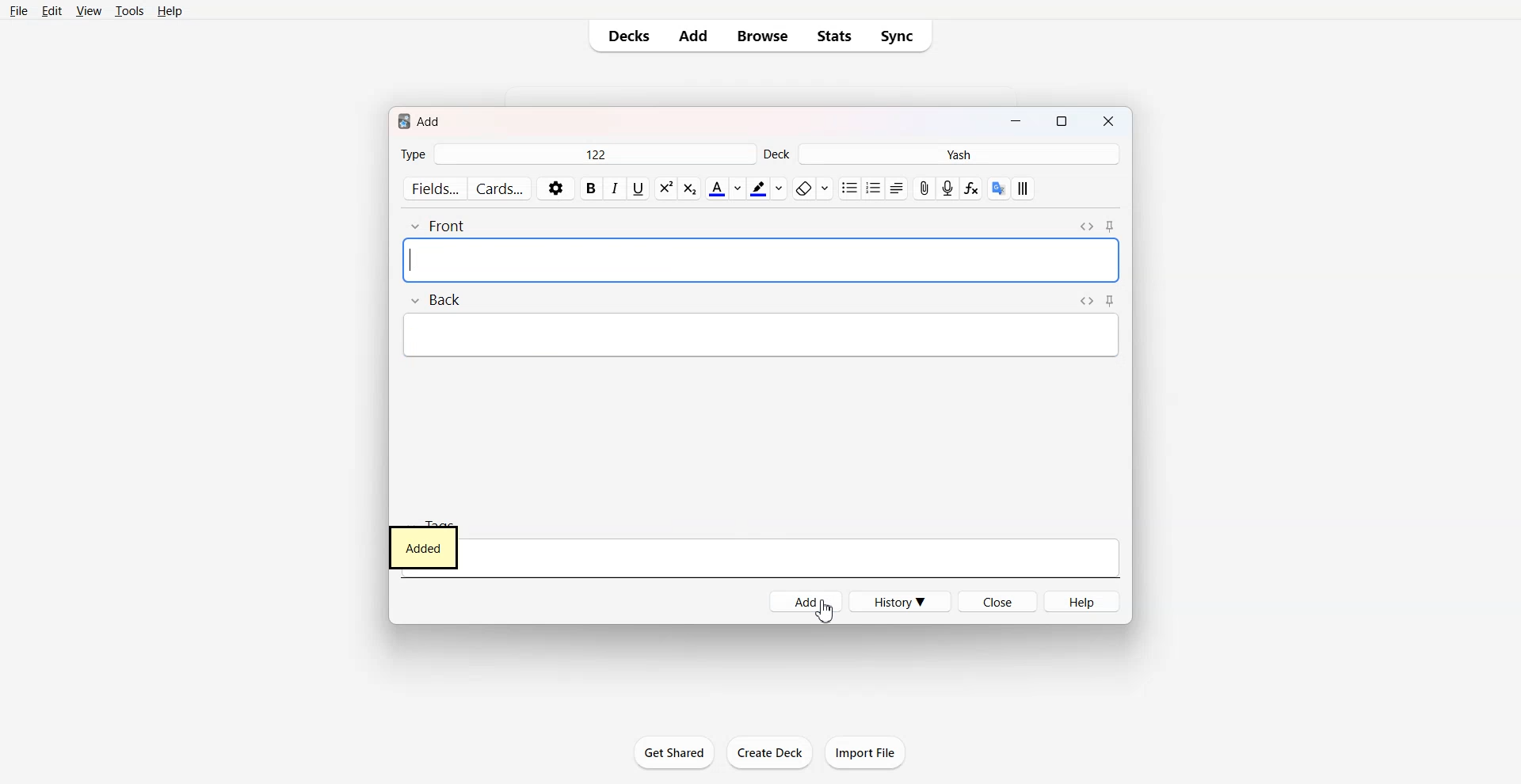 Image resolution: width=1521 pixels, height=784 pixels. What do you see at coordinates (577, 155) in the screenshot?
I see `Type` at bounding box center [577, 155].